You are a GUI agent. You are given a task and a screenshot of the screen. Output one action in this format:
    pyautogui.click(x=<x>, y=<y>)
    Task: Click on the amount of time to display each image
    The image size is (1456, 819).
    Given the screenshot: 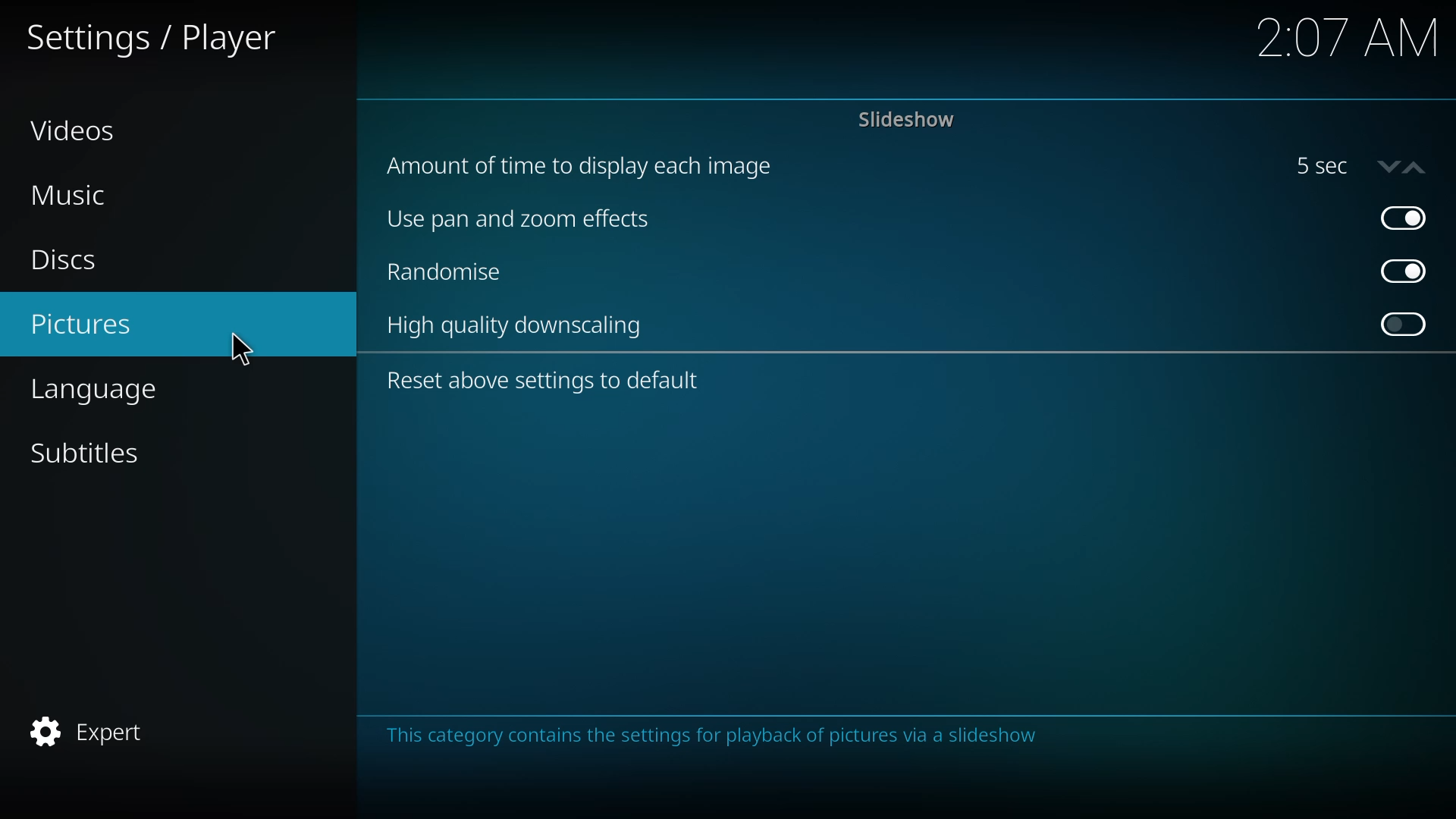 What is the action you would take?
    pyautogui.click(x=588, y=165)
    